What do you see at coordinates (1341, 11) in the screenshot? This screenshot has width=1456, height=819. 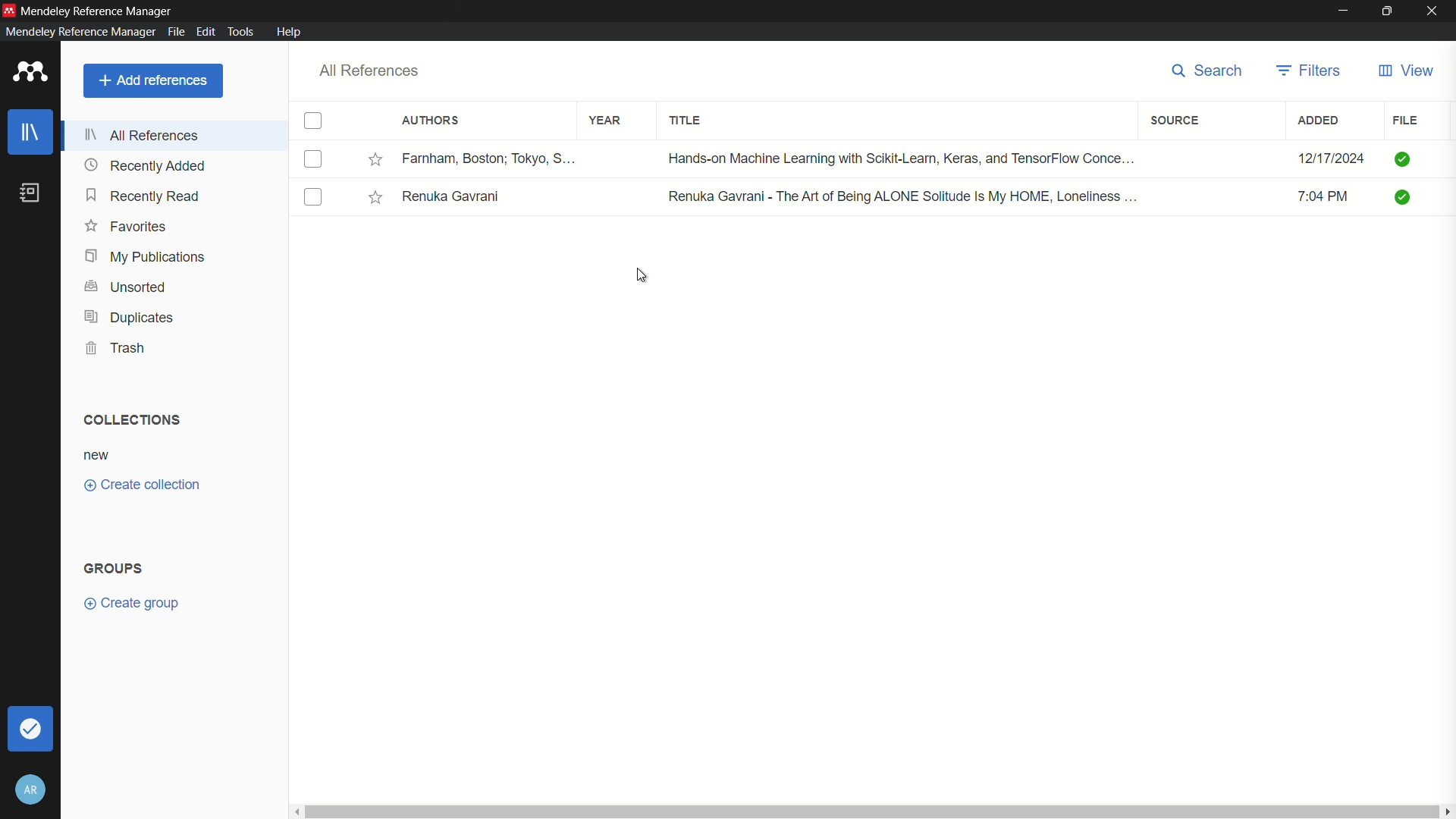 I see `minimize` at bounding box center [1341, 11].